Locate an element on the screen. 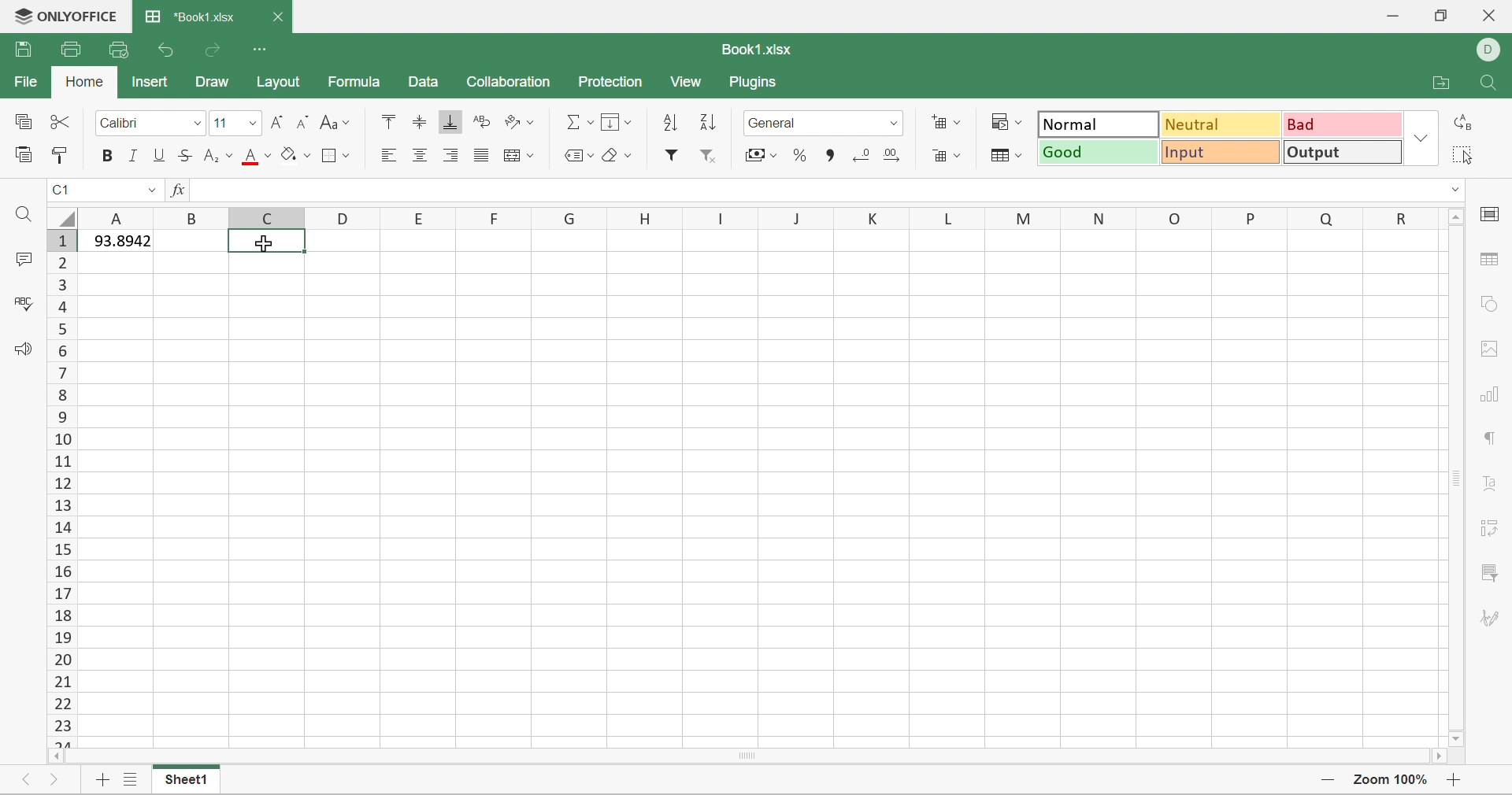 Image resolution: width=1512 pixels, height=795 pixels. Descending order is located at coordinates (706, 122).